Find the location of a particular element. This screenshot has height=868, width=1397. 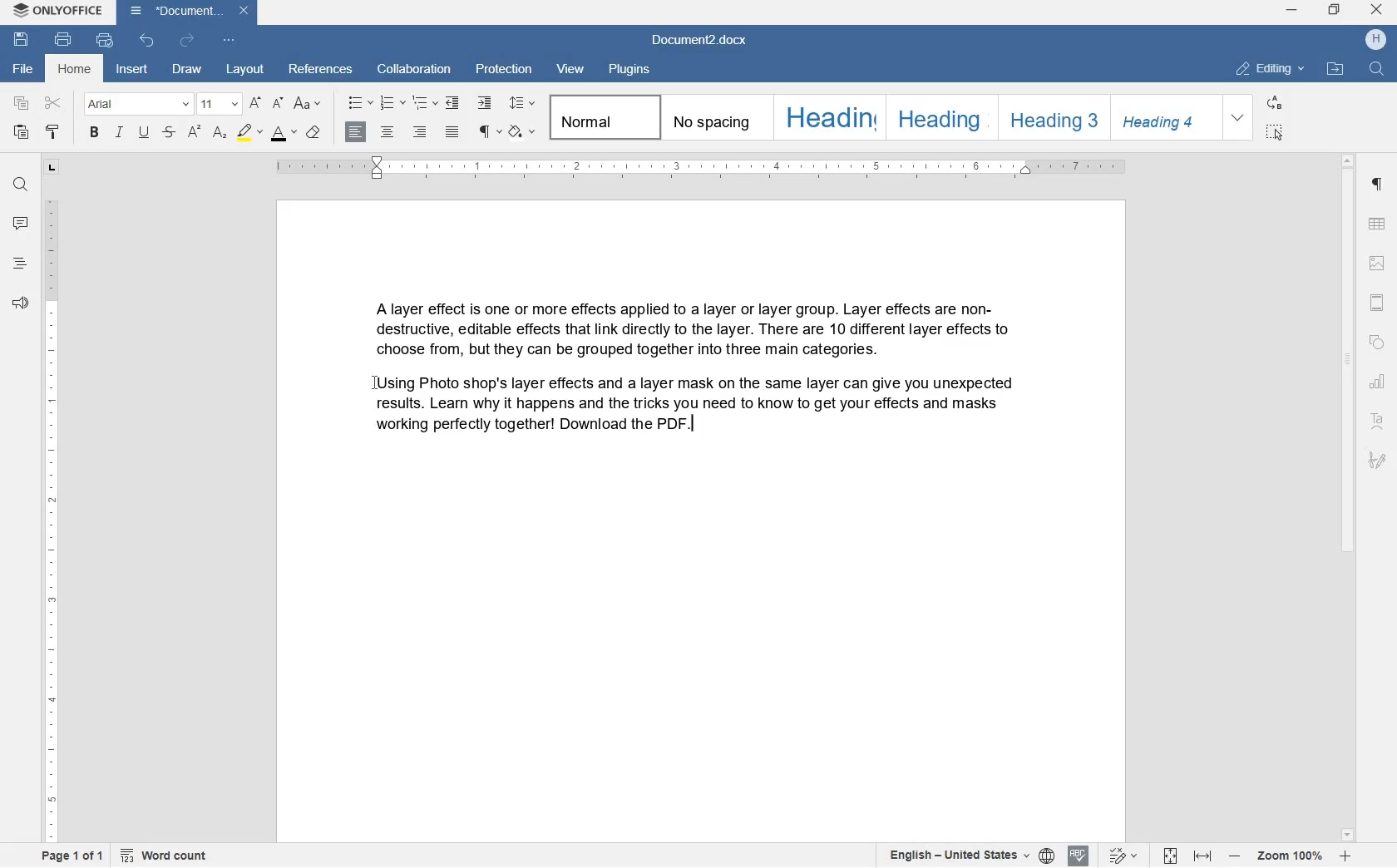

2 ONLYOFFICE is located at coordinates (56, 11).